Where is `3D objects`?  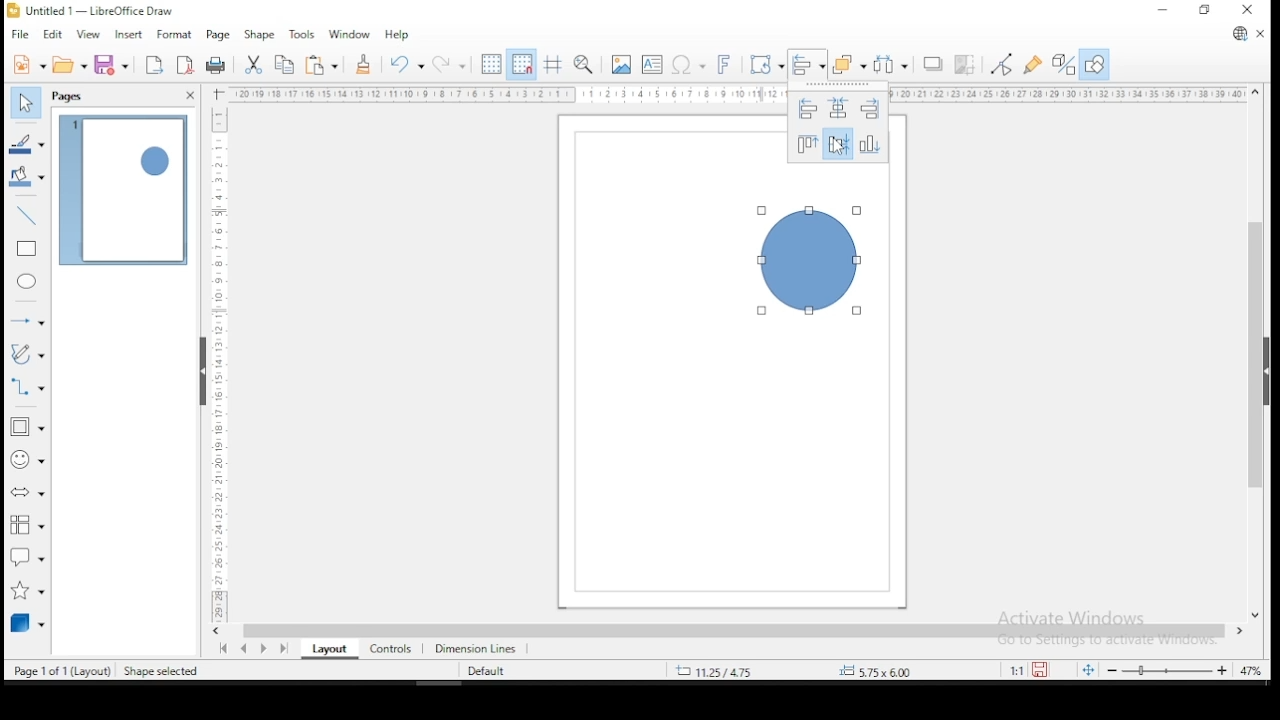
3D objects is located at coordinates (27, 622).